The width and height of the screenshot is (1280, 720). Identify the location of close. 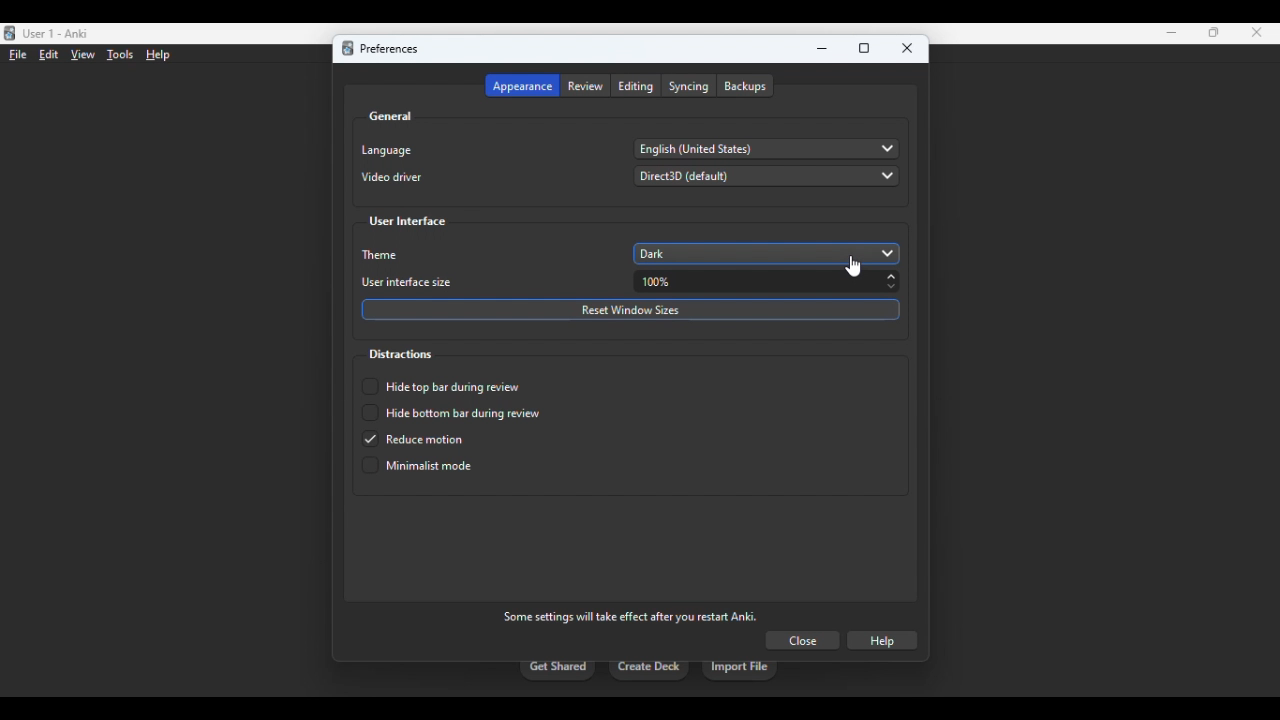
(1257, 32).